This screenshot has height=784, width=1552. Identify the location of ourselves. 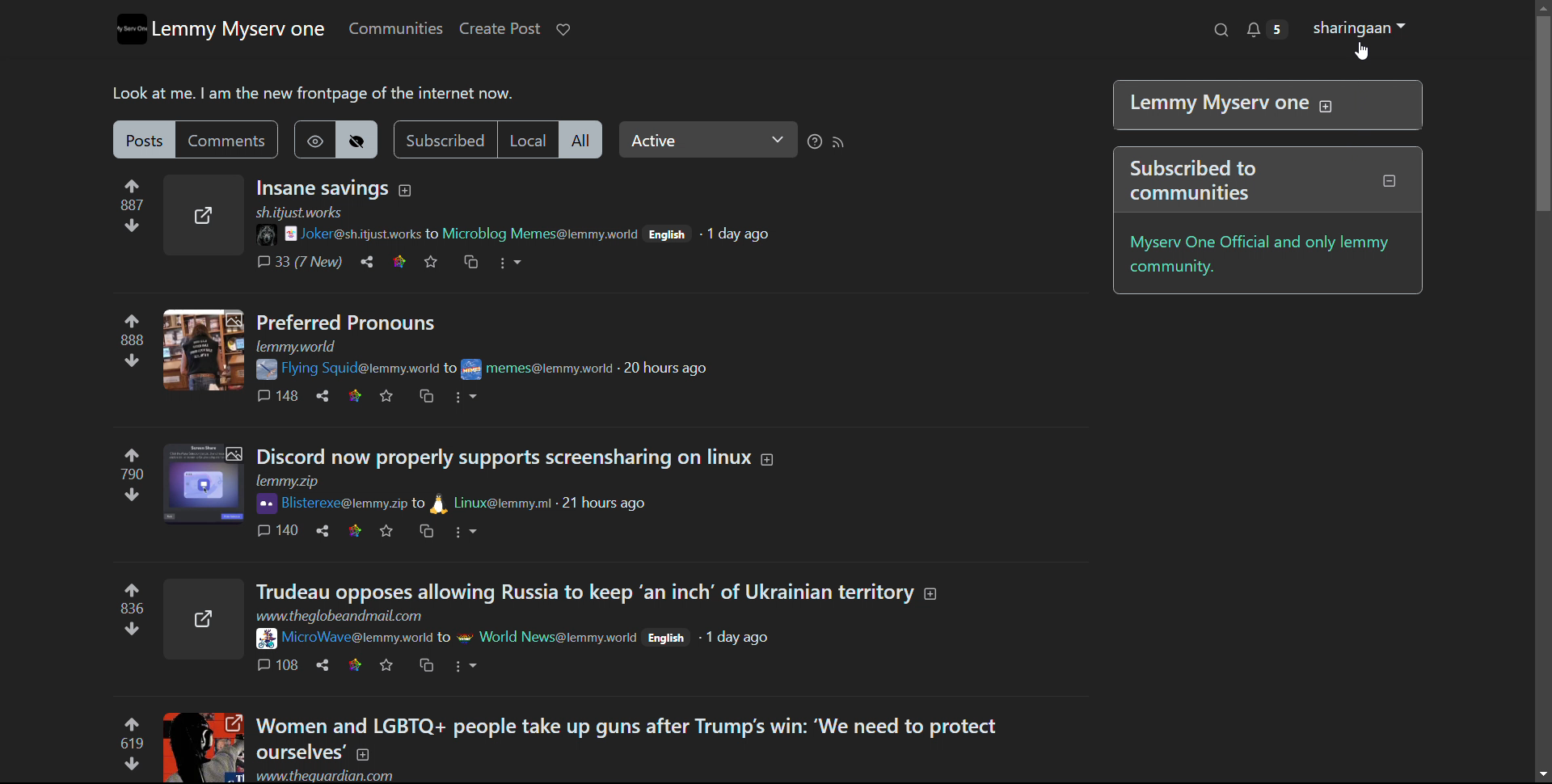
(297, 756).